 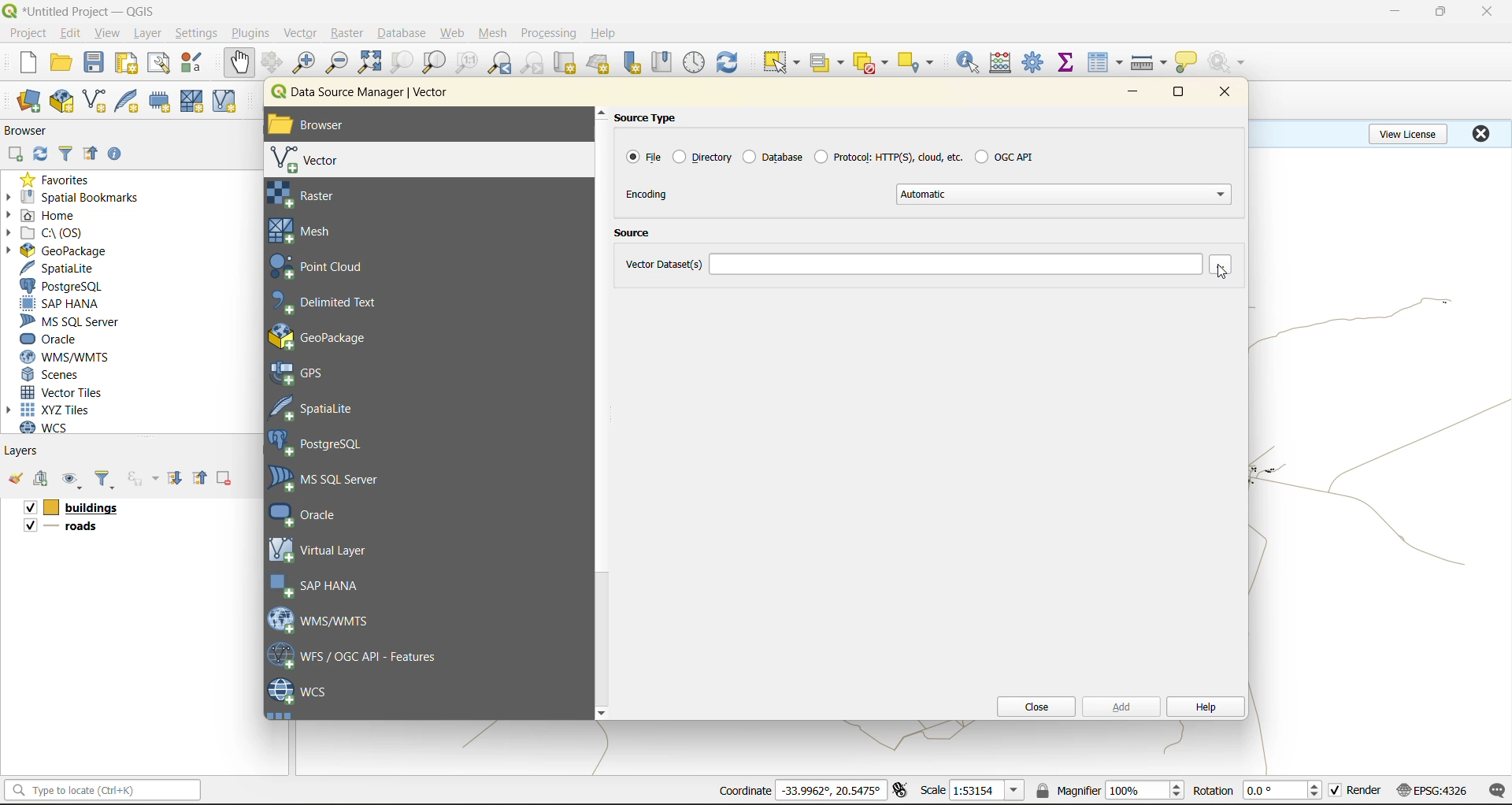 I want to click on file, so click(x=642, y=157).